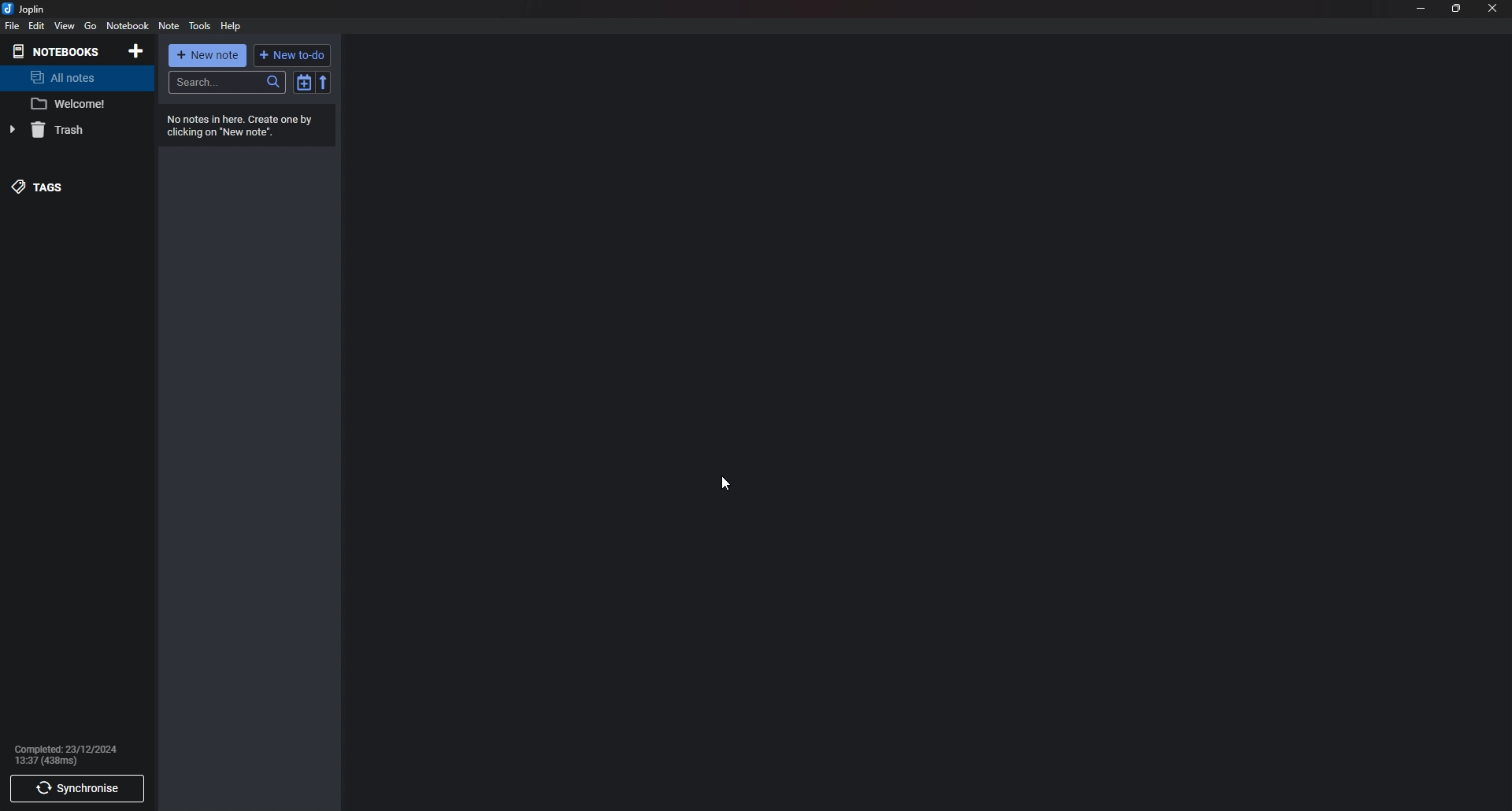 This screenshot has width=1512, height=811. Describe the element at coordinates (36, 25) in the screenshot. I see `eDIT` at that location.